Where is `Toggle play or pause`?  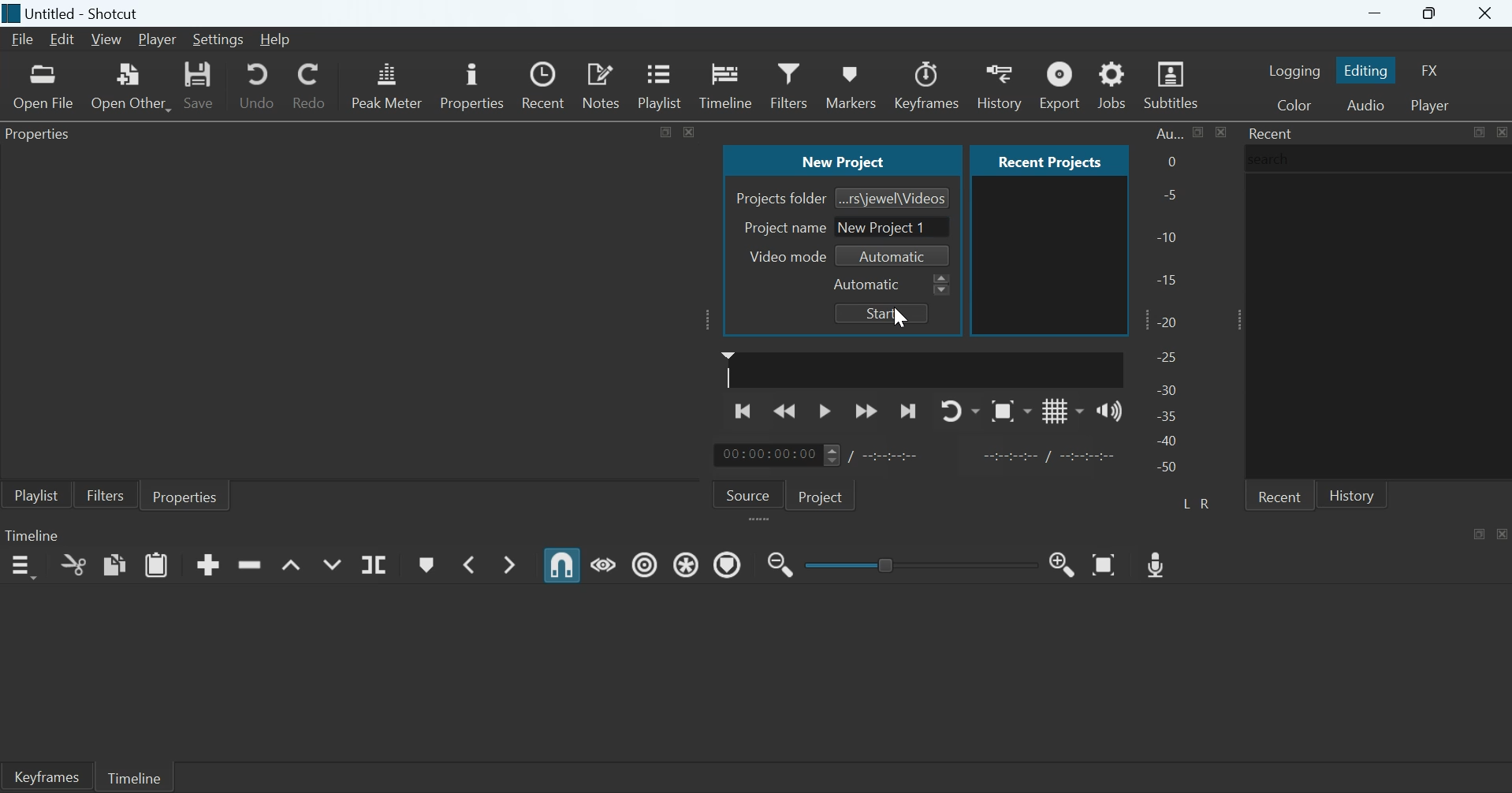
Toggle play or pause is located at coordinates (825, 411).